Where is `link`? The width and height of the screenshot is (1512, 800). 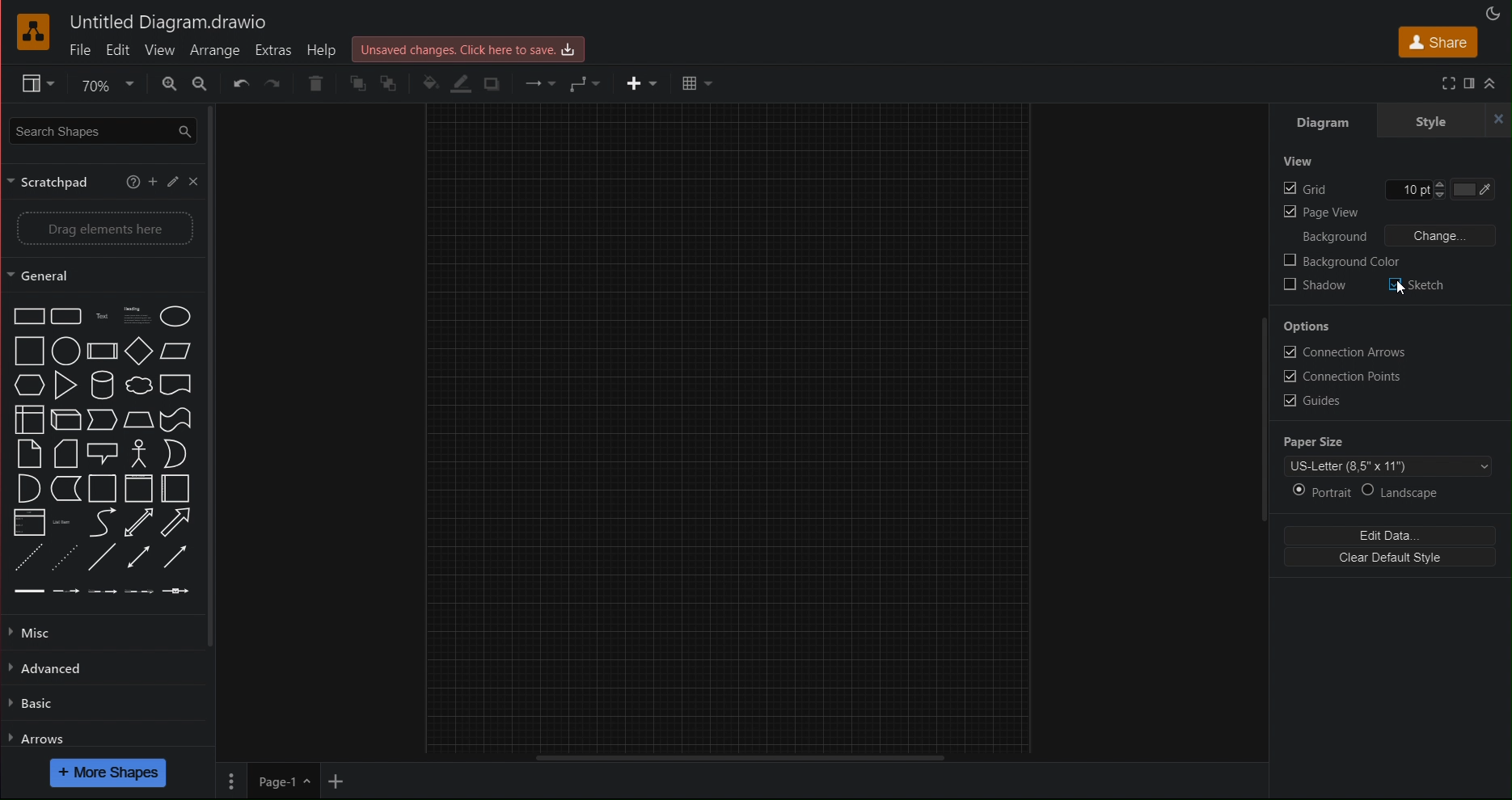
link is located at coordinates (28, 594).